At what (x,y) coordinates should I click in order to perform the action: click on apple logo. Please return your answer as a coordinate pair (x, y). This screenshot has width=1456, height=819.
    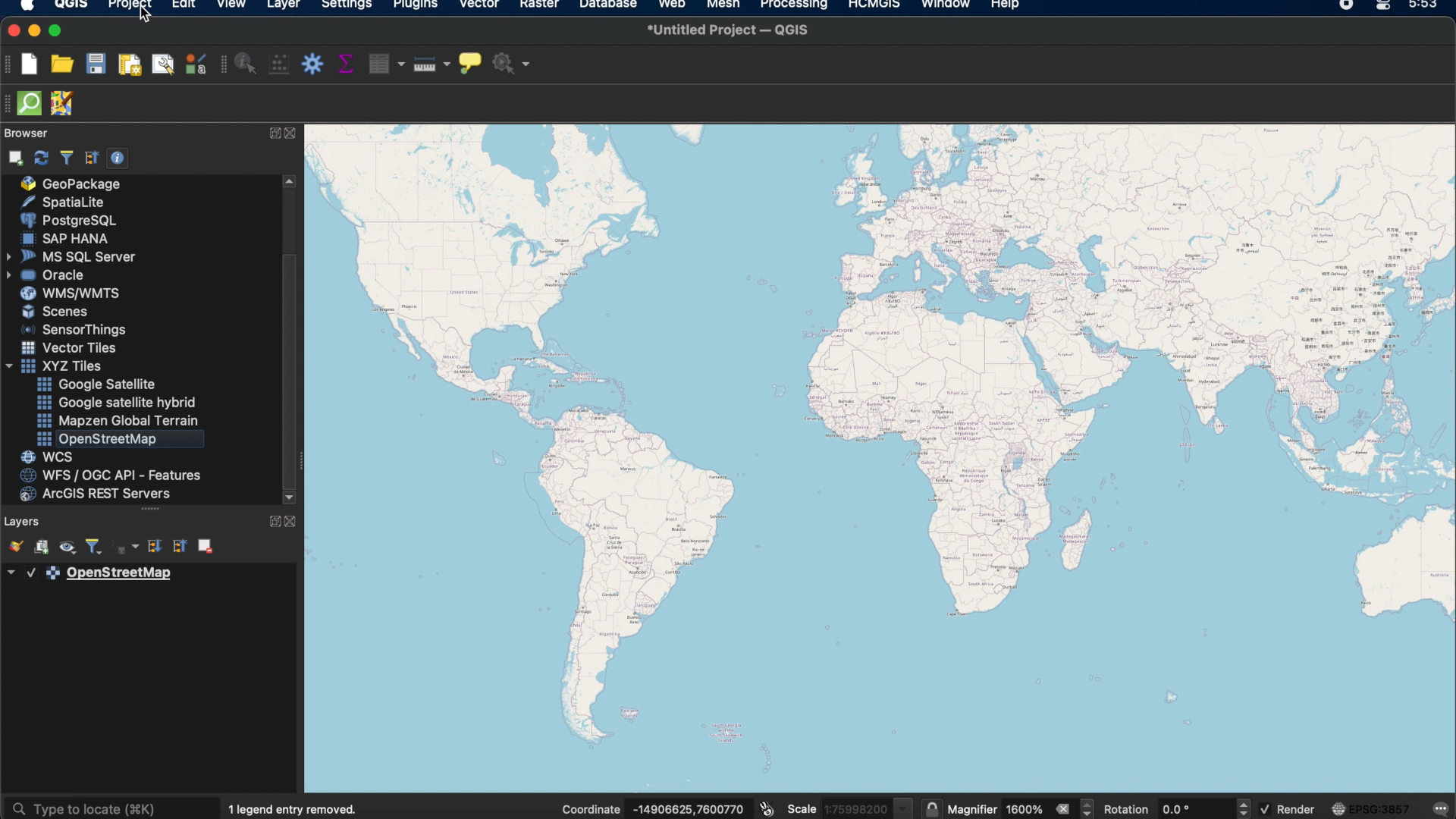
    Looking at the image, I should click on (27, 6).